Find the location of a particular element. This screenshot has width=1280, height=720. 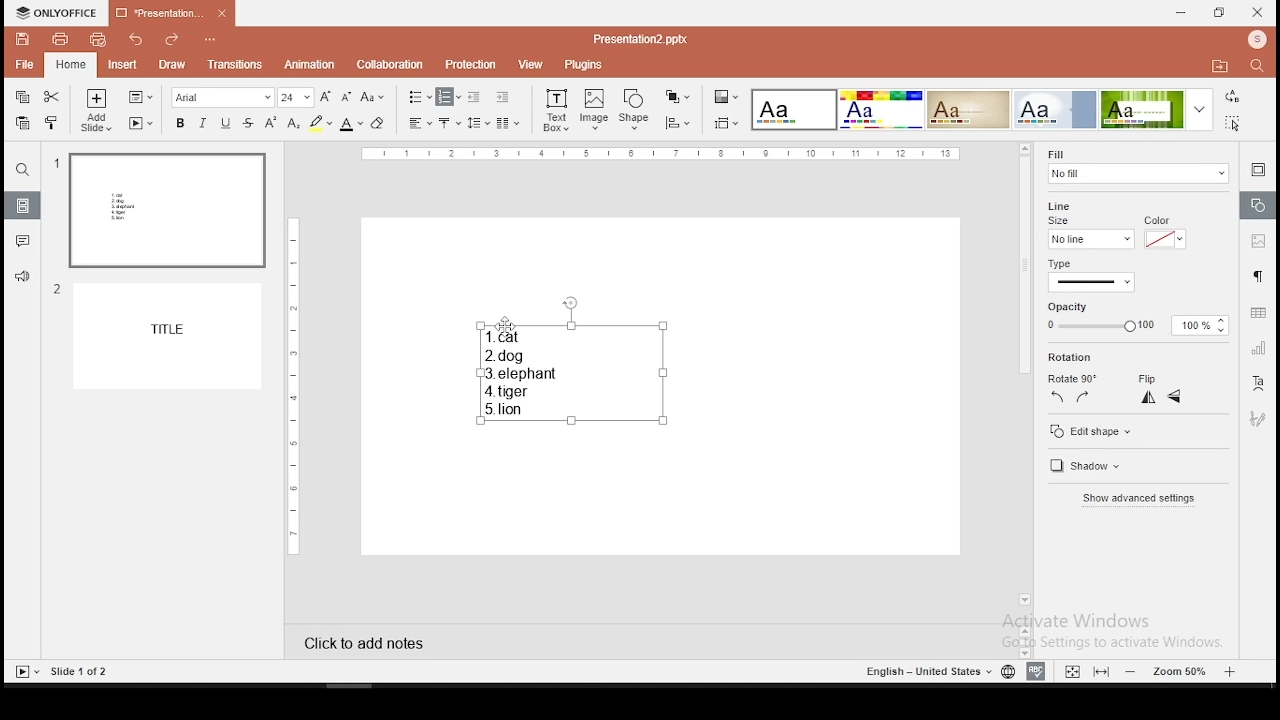

undo is located at coordinates (137, 40).